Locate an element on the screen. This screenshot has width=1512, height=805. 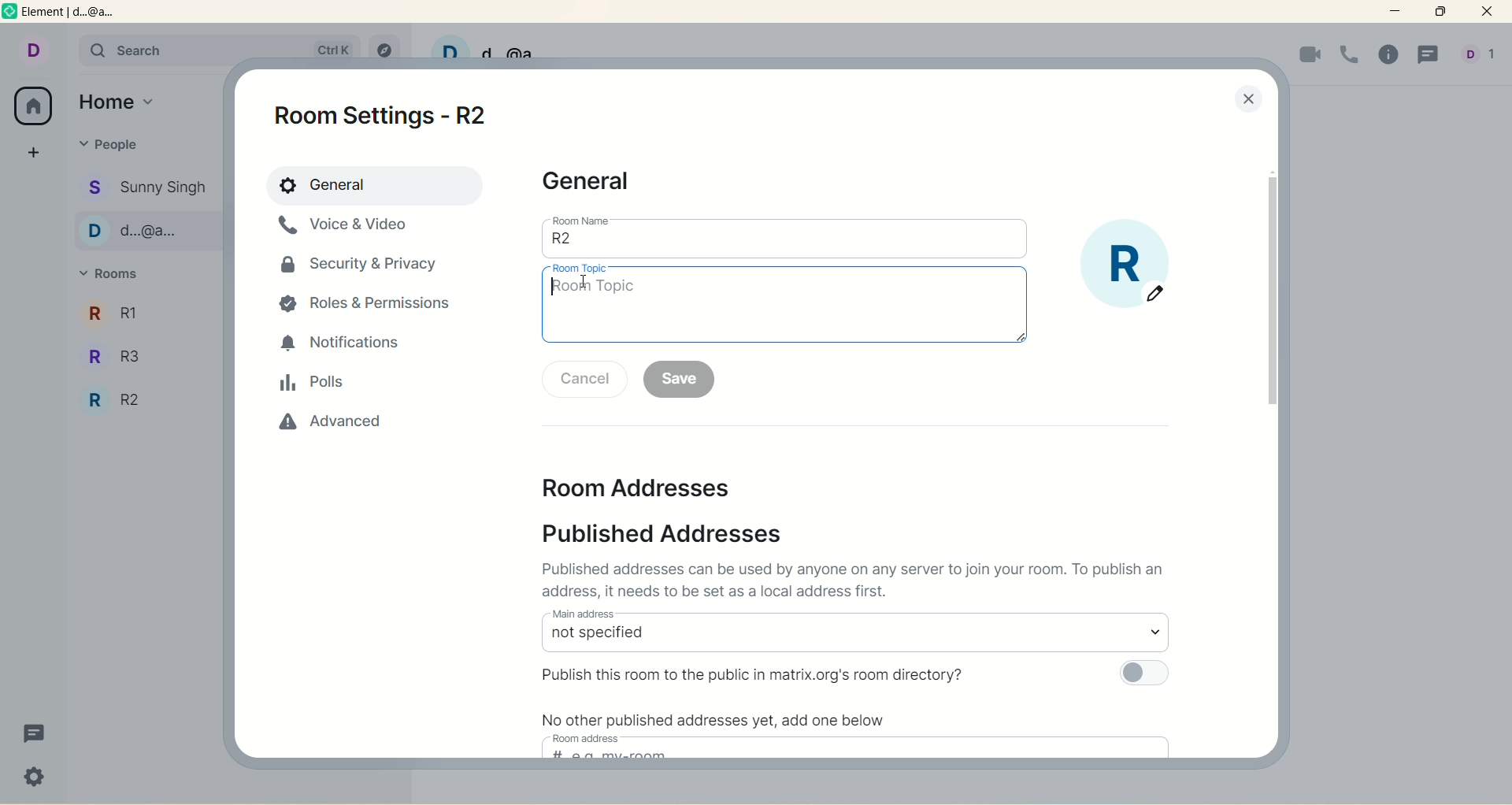
polls is located at coordinates (313, 384).